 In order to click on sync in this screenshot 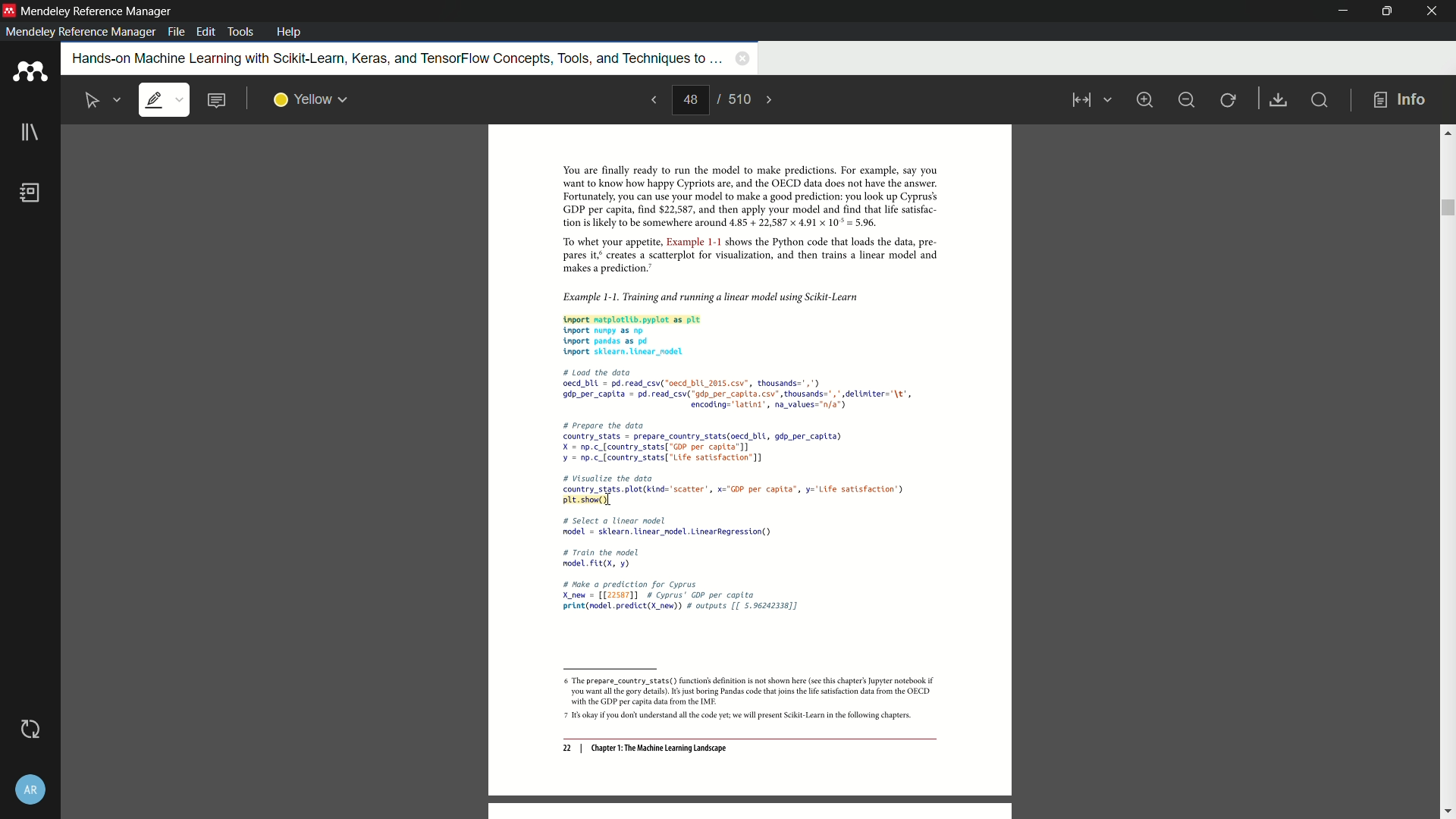, I will do `click(30, 730)`.